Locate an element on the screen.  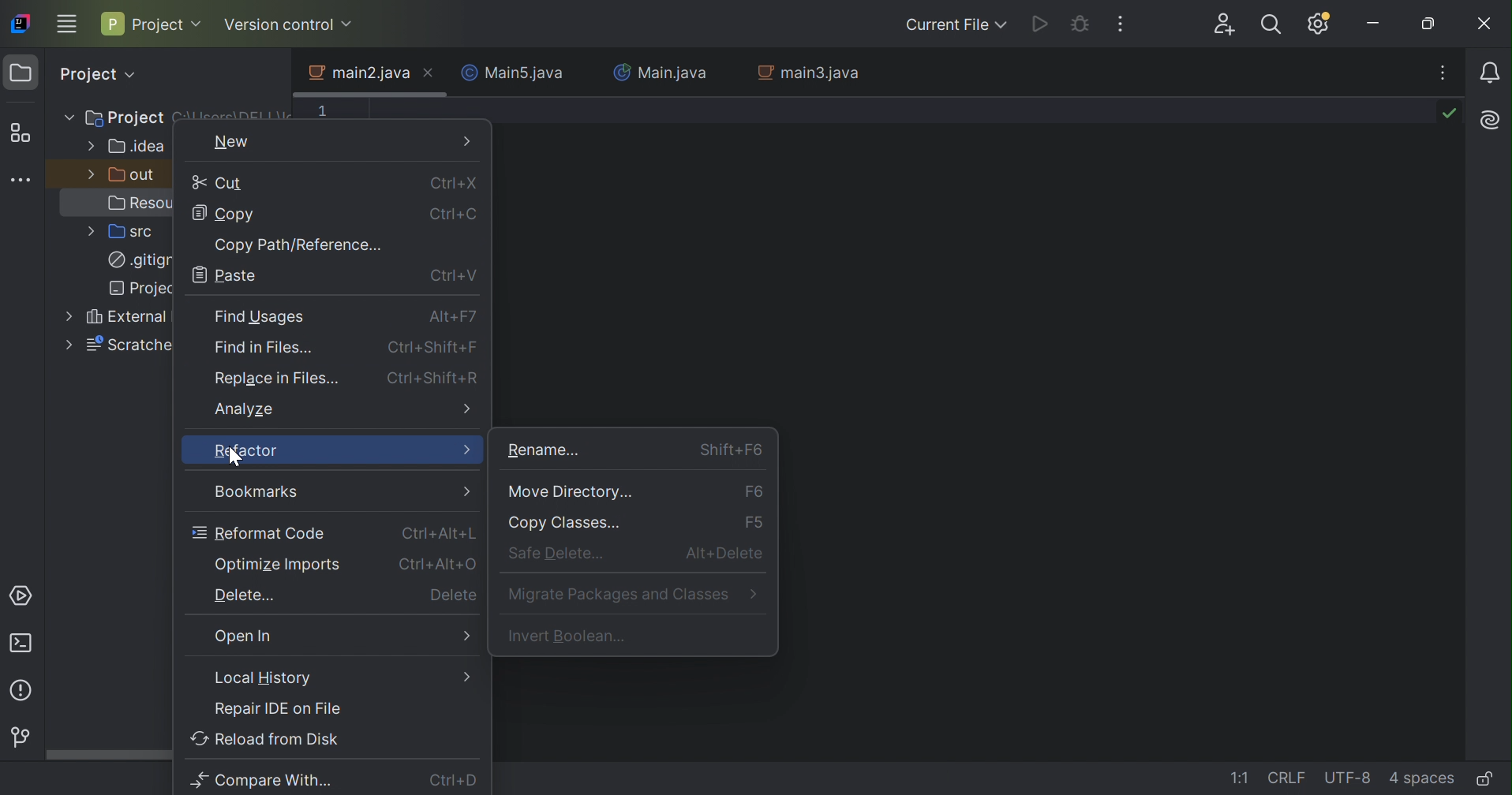
Reformat code is located at coordinates (260, 533).